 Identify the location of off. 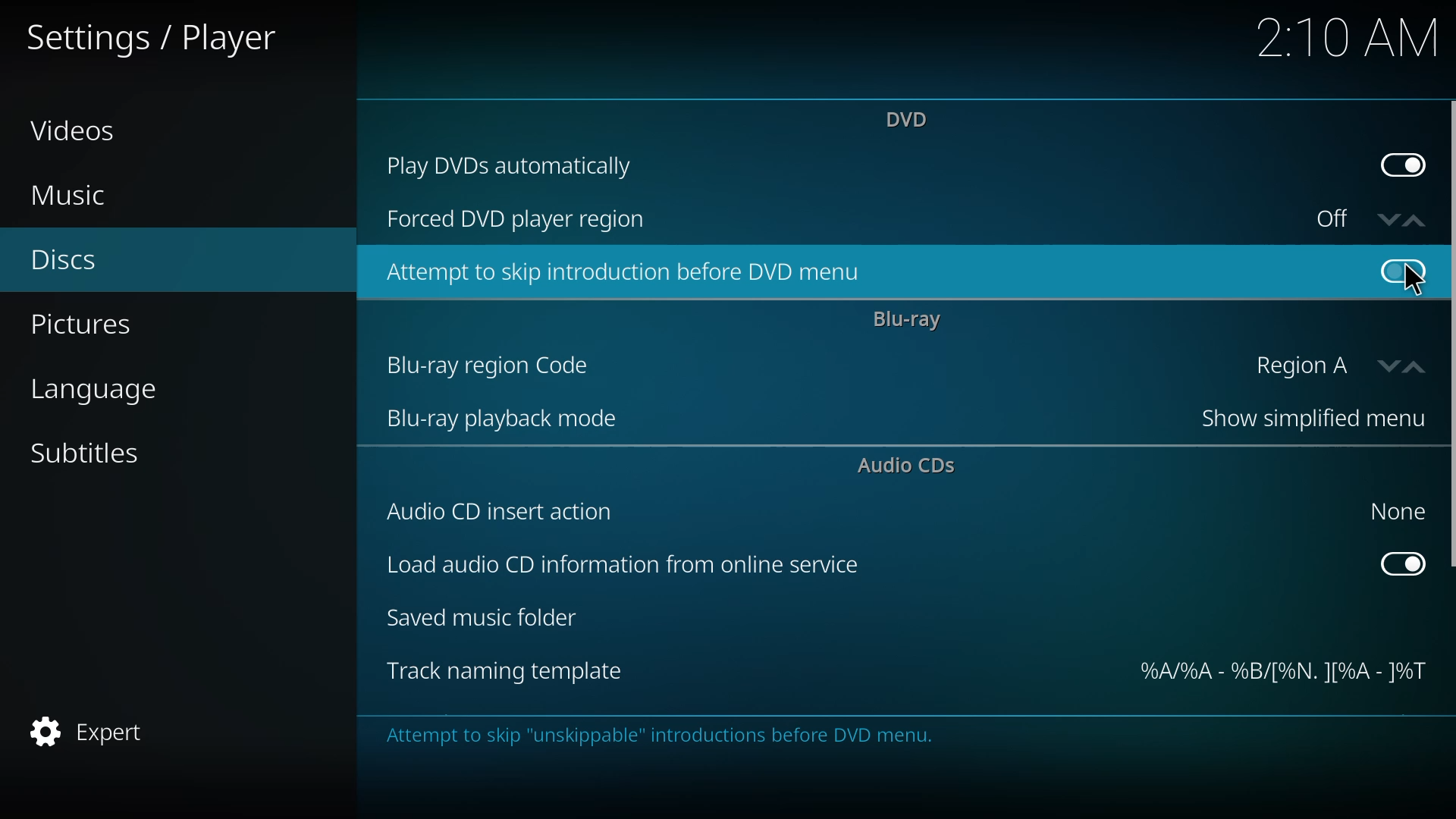
(1357, 218).